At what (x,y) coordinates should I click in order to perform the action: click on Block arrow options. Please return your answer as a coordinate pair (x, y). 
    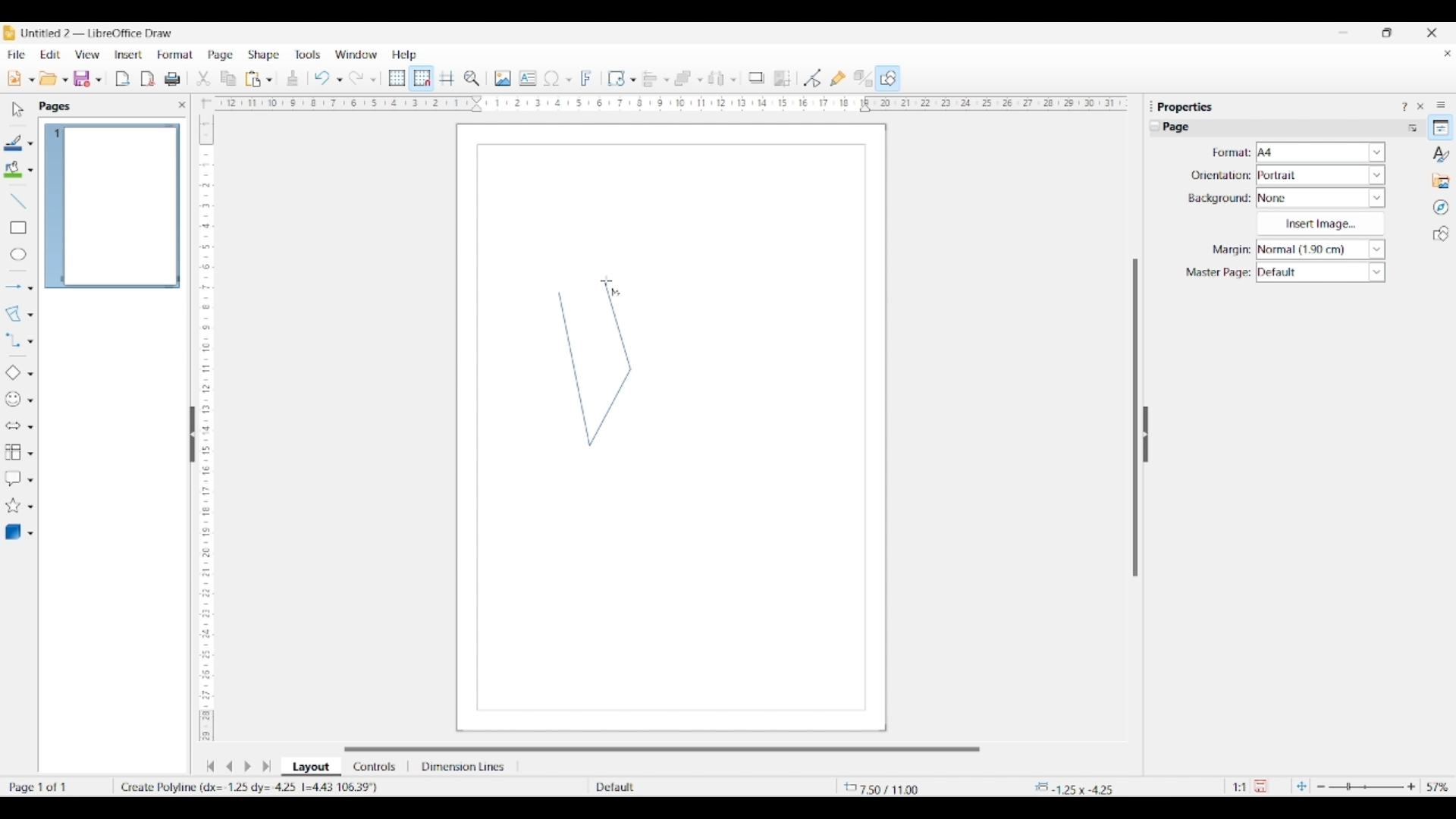
    Looking at the image, I should click on (30, 427).